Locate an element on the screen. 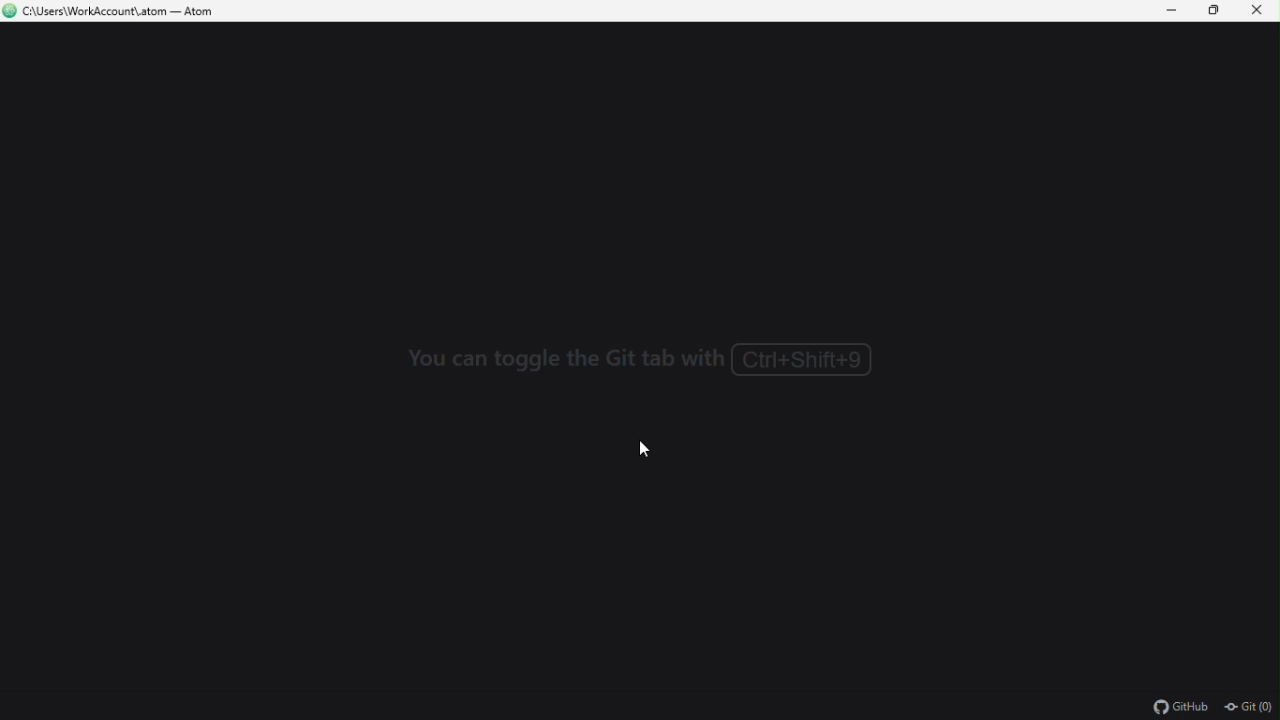  text is located at coordinates (644, 359).